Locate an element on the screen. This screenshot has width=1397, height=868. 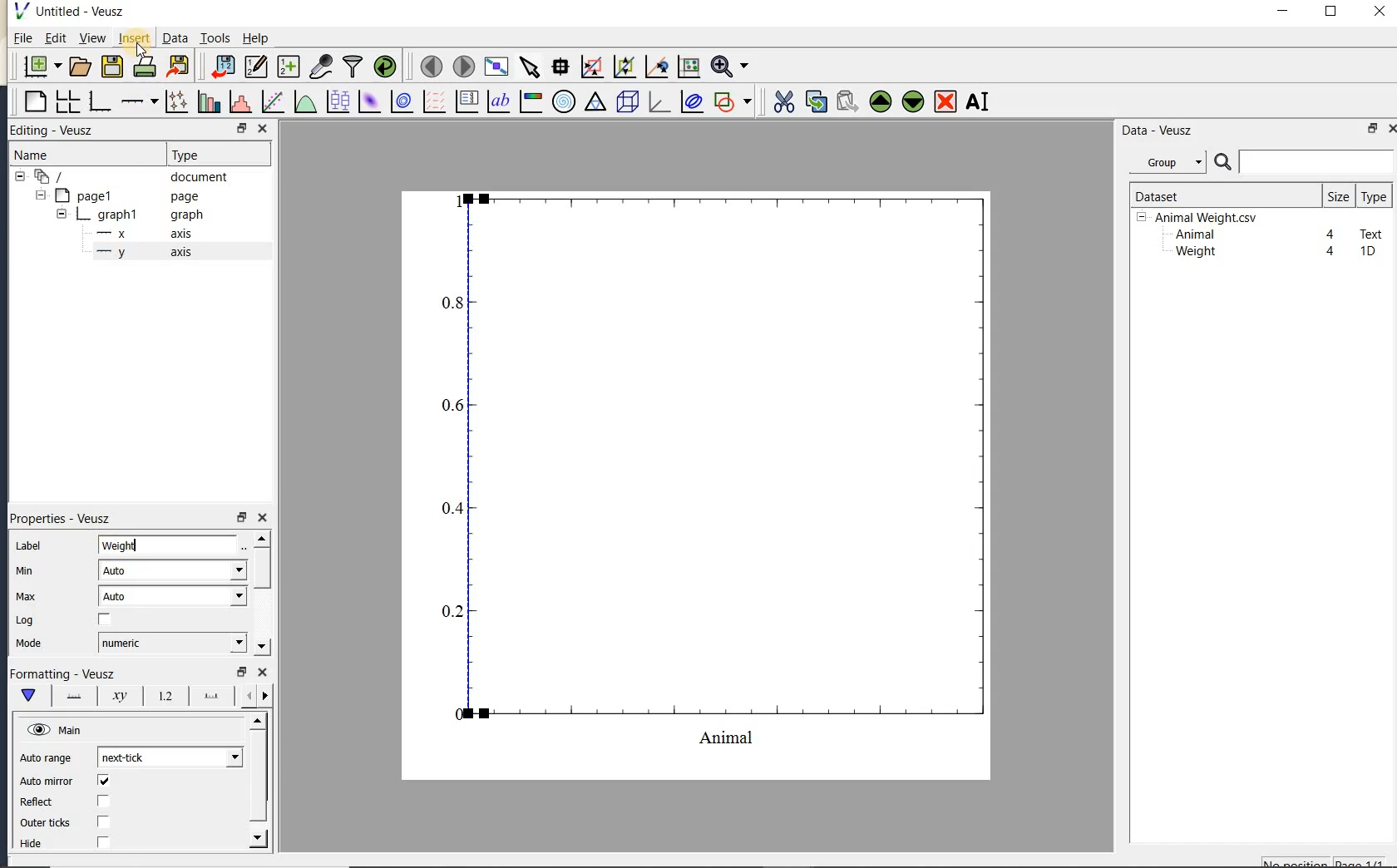
edit and enter new datasets is located at coordinates (255, 67).